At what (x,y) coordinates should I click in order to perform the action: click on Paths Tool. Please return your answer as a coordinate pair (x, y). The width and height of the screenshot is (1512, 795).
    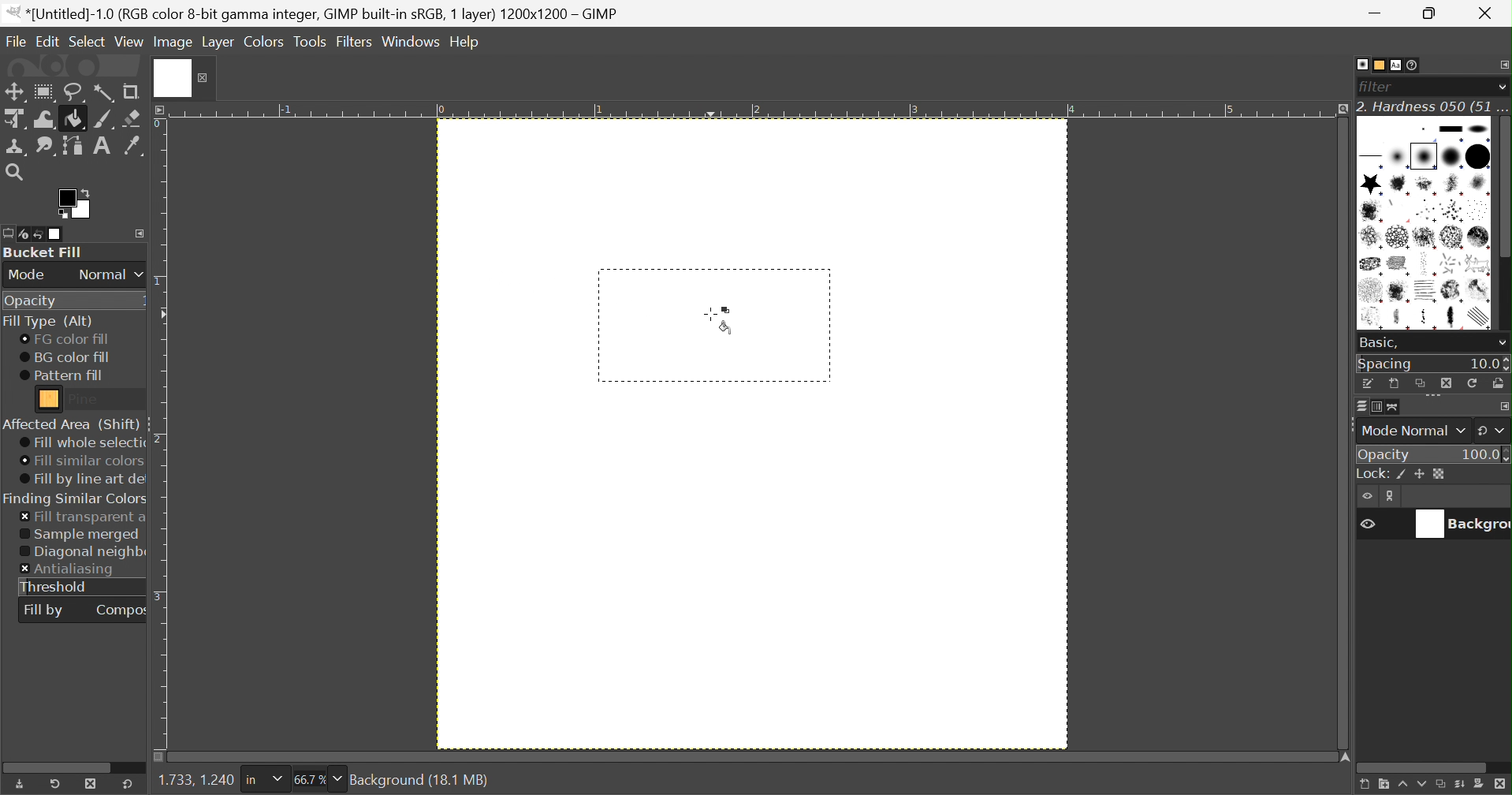
    Looking at the image, I should click on (71, 146).